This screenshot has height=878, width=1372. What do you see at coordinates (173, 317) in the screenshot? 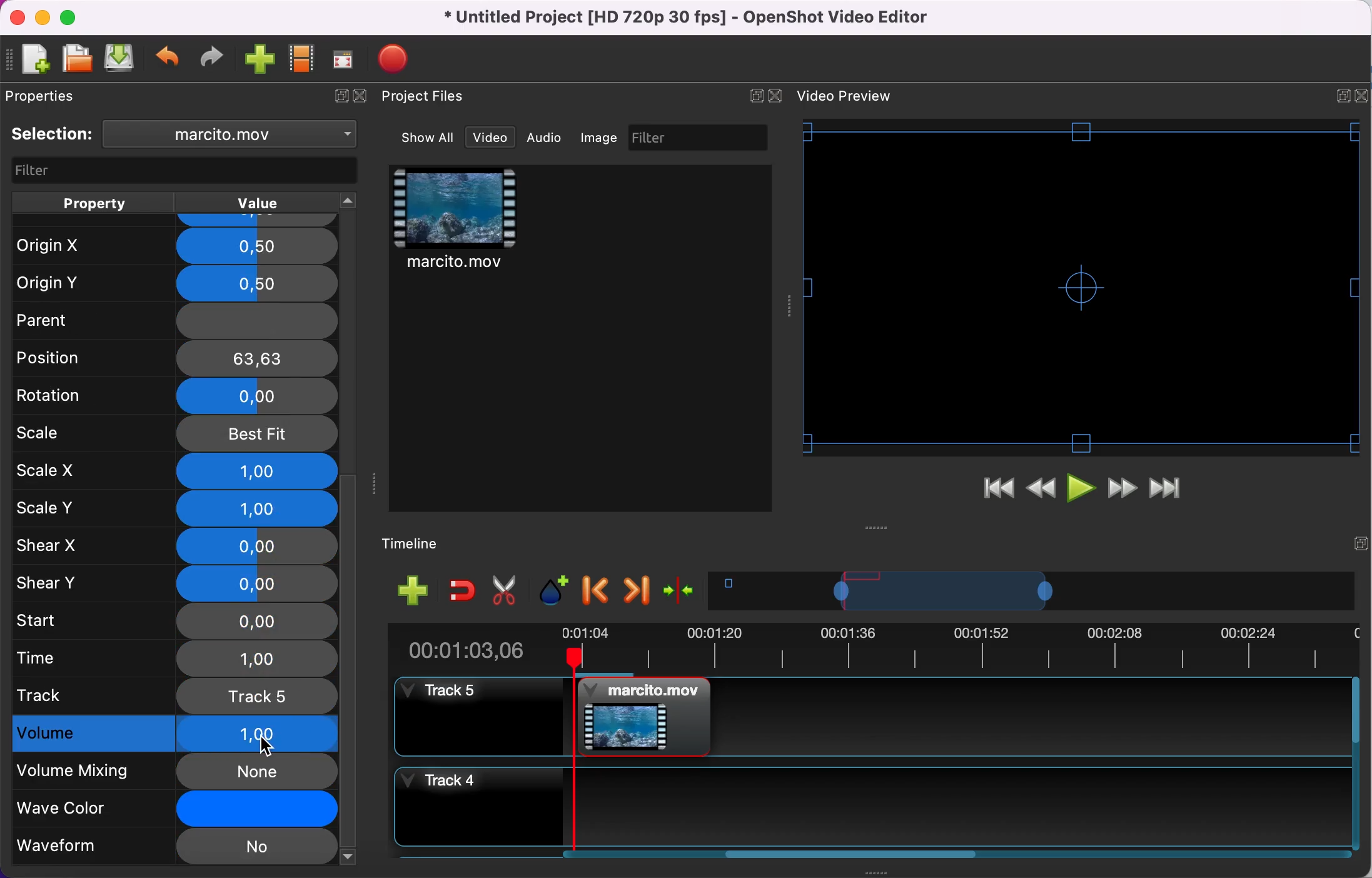
I see `Parent` at bounding box center [173, 317].